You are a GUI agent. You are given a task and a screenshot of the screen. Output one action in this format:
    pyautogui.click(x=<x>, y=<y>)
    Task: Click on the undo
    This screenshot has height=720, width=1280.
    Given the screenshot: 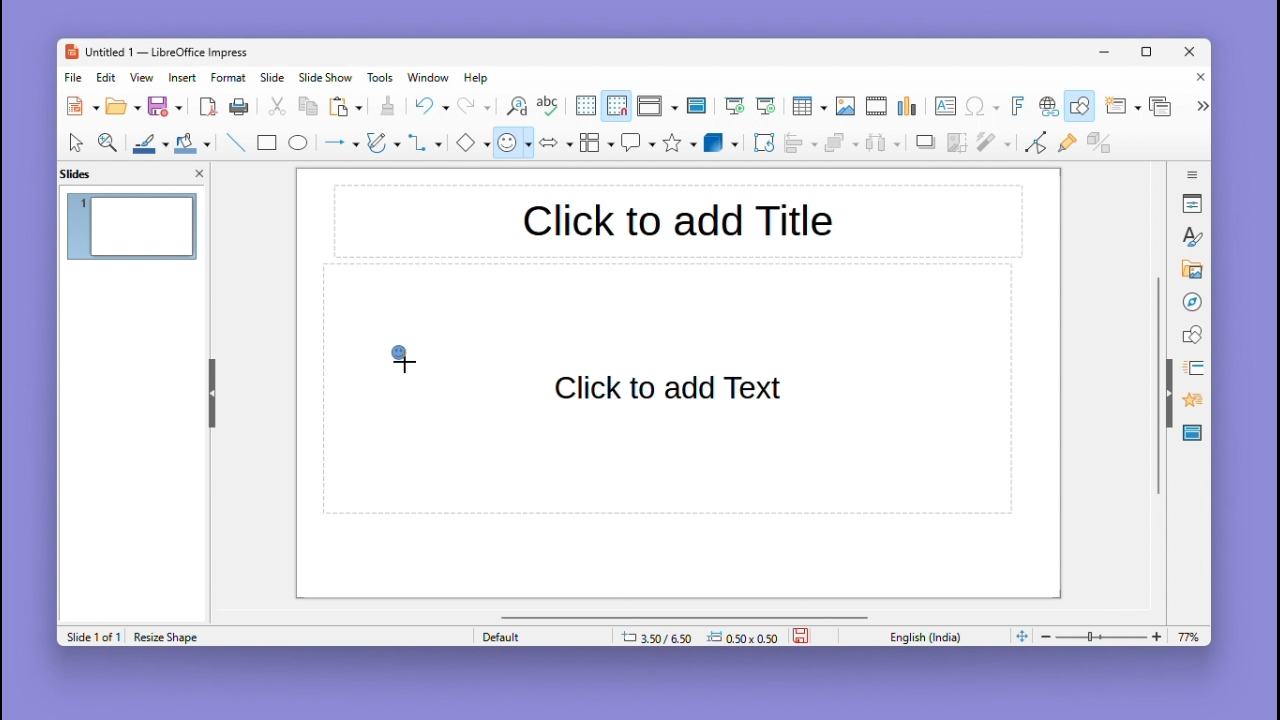 What is the action you would take?
    pyautogui.click(x=431, y=106)
    